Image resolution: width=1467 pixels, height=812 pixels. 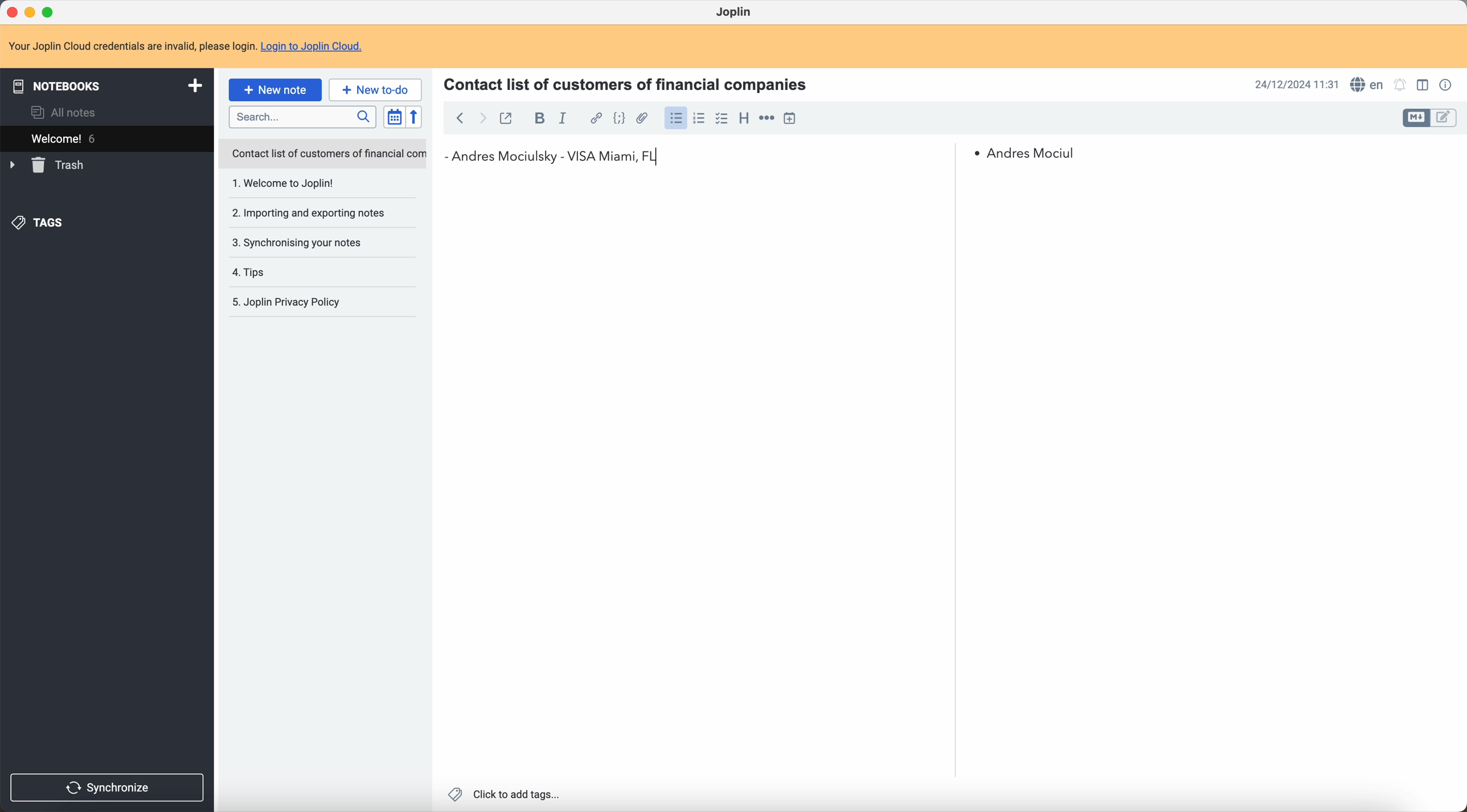 What do you see at coordinates (483, 119) in the screenshot?
I see `foward` at bounding box center [483, 119].